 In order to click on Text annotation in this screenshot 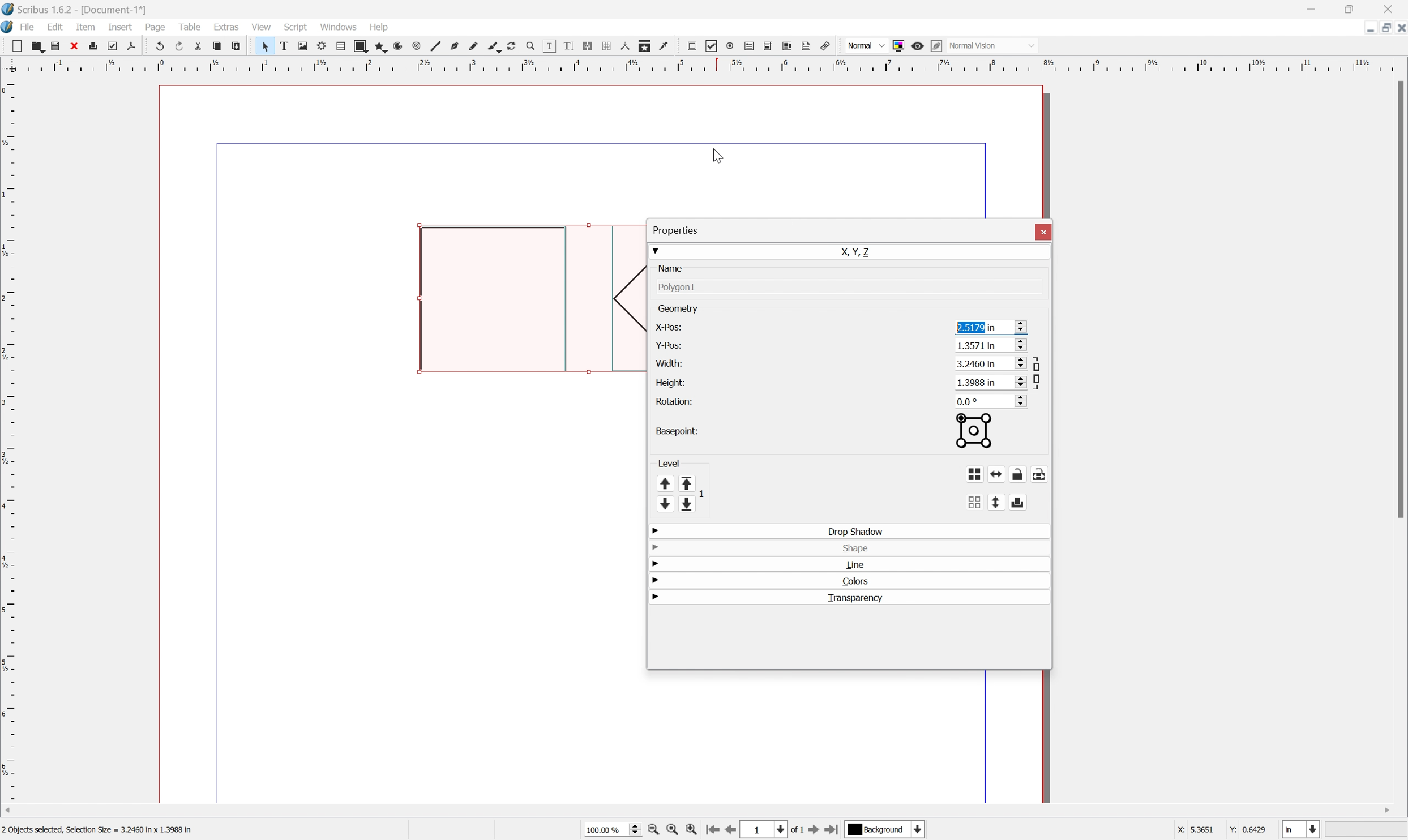, I will do `click(805, 46)`.